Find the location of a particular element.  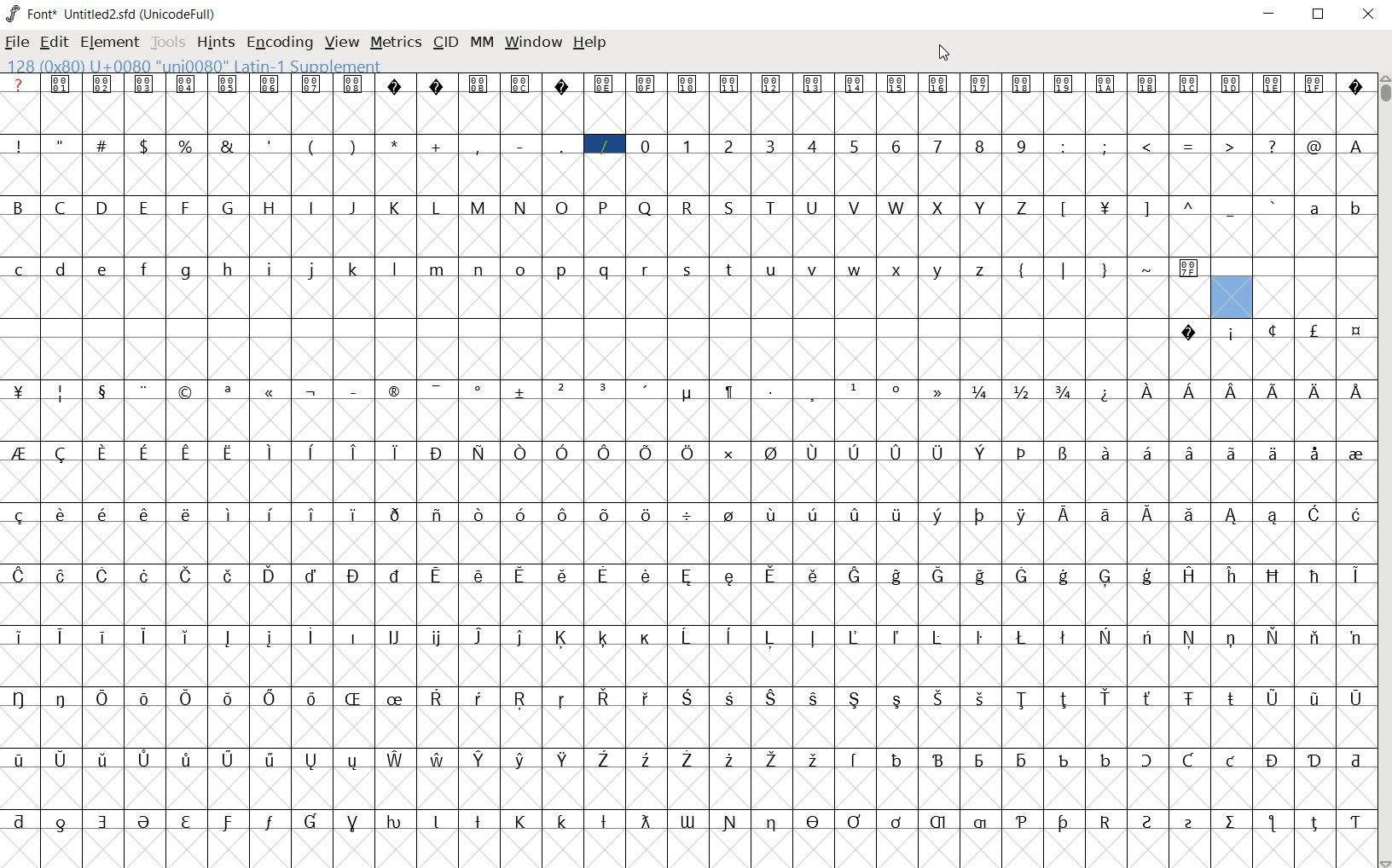

glyph is located at coordinates (1232, 84).